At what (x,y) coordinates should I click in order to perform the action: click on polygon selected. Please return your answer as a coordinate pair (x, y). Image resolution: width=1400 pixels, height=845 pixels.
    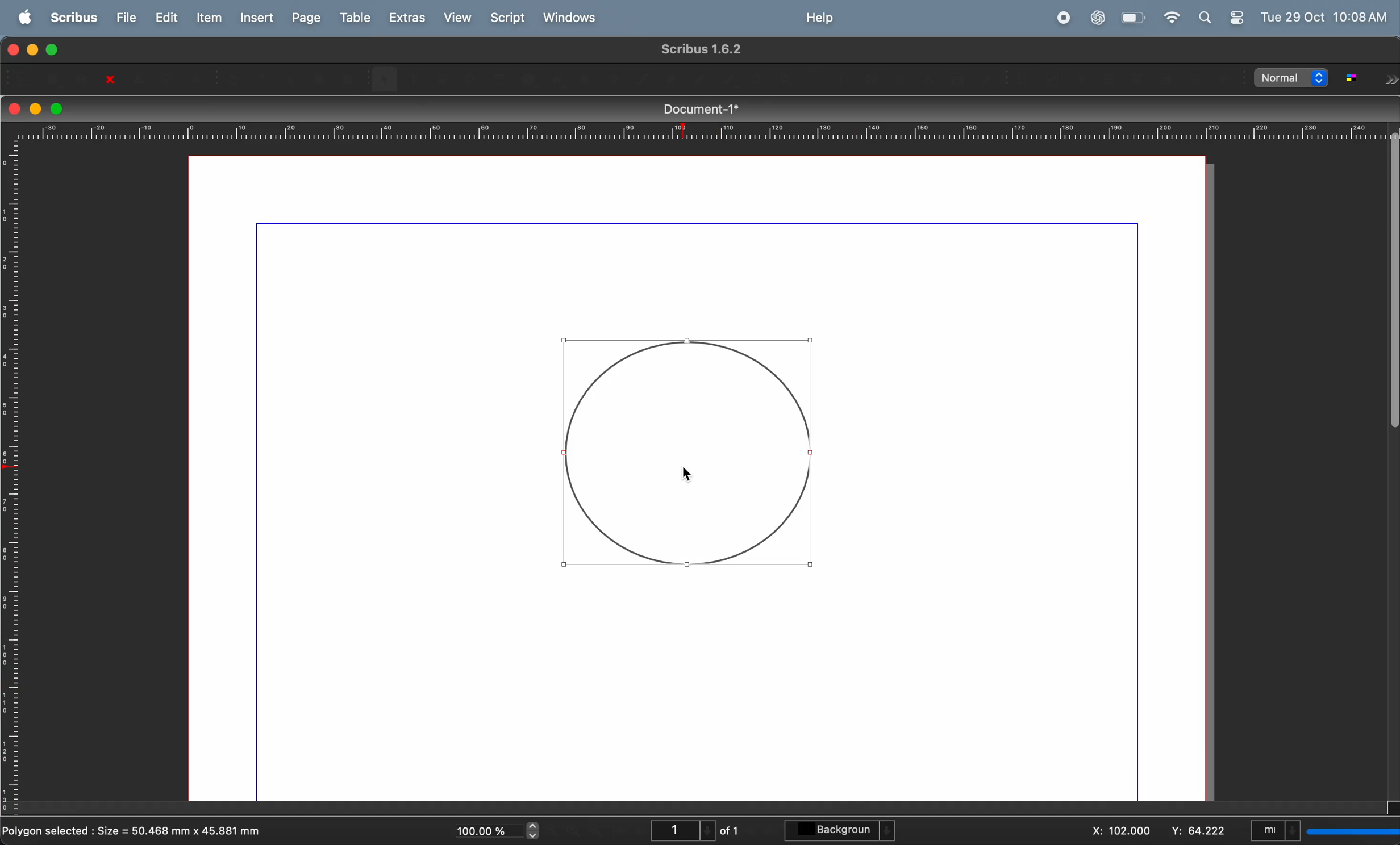
    Looking at the image, I should click on (136, 829).